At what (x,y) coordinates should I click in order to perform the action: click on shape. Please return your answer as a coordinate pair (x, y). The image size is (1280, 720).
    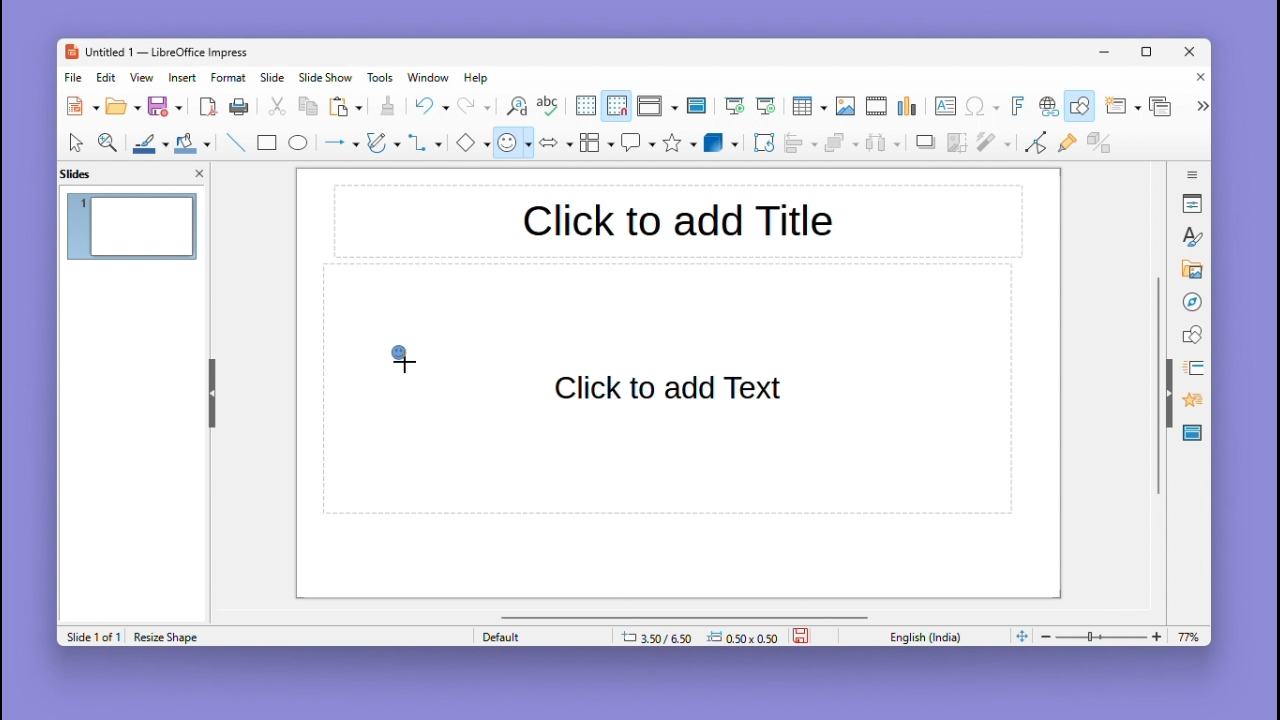
    Looking at the image, I should click on (399, 361).